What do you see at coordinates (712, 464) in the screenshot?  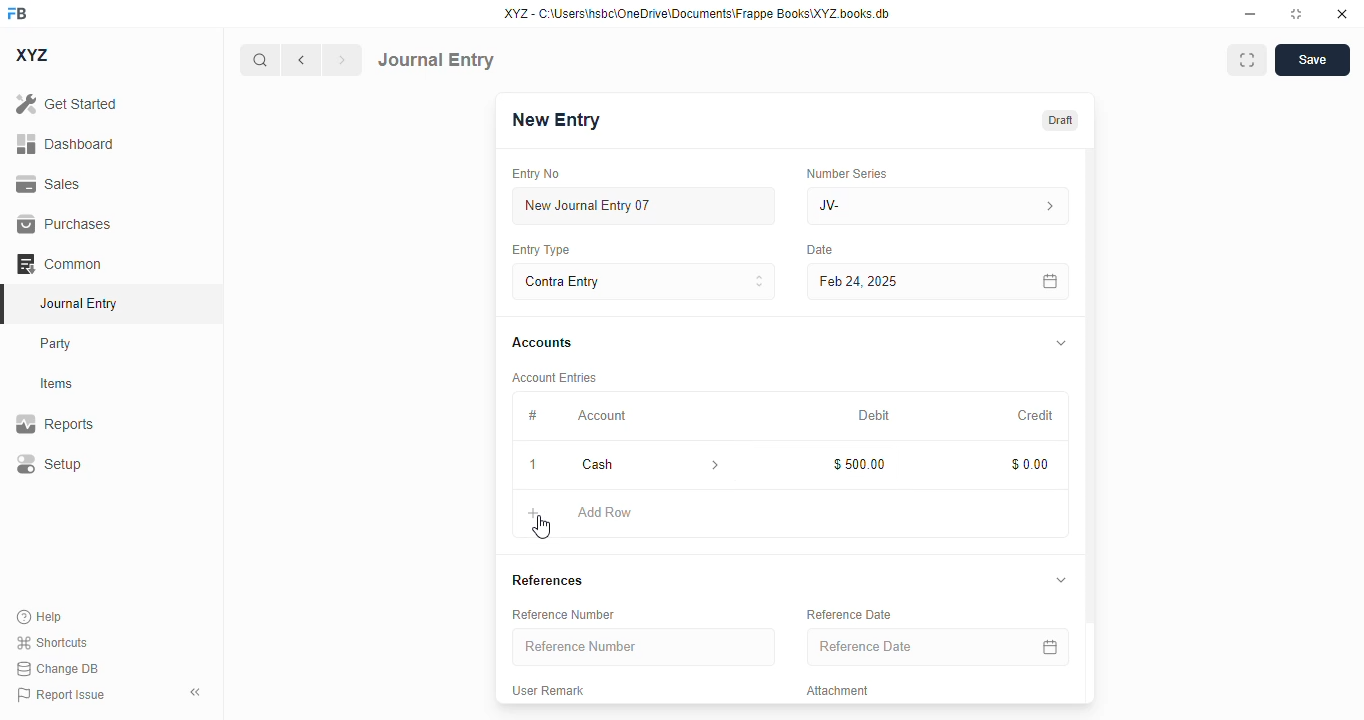 I see `account information` at bounding box center [712, 464].